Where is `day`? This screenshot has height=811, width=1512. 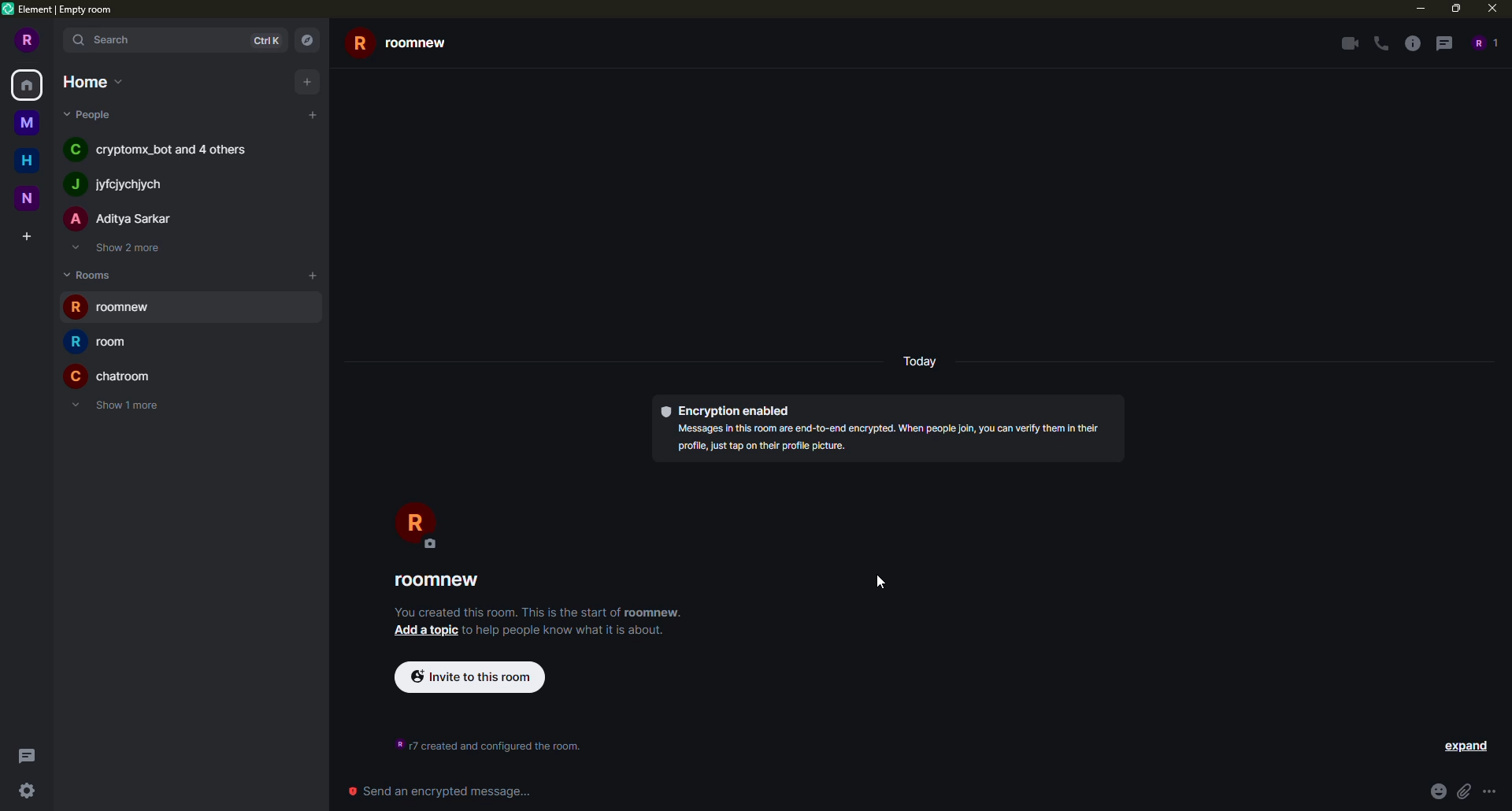 day is located at coordinates (923, 367).